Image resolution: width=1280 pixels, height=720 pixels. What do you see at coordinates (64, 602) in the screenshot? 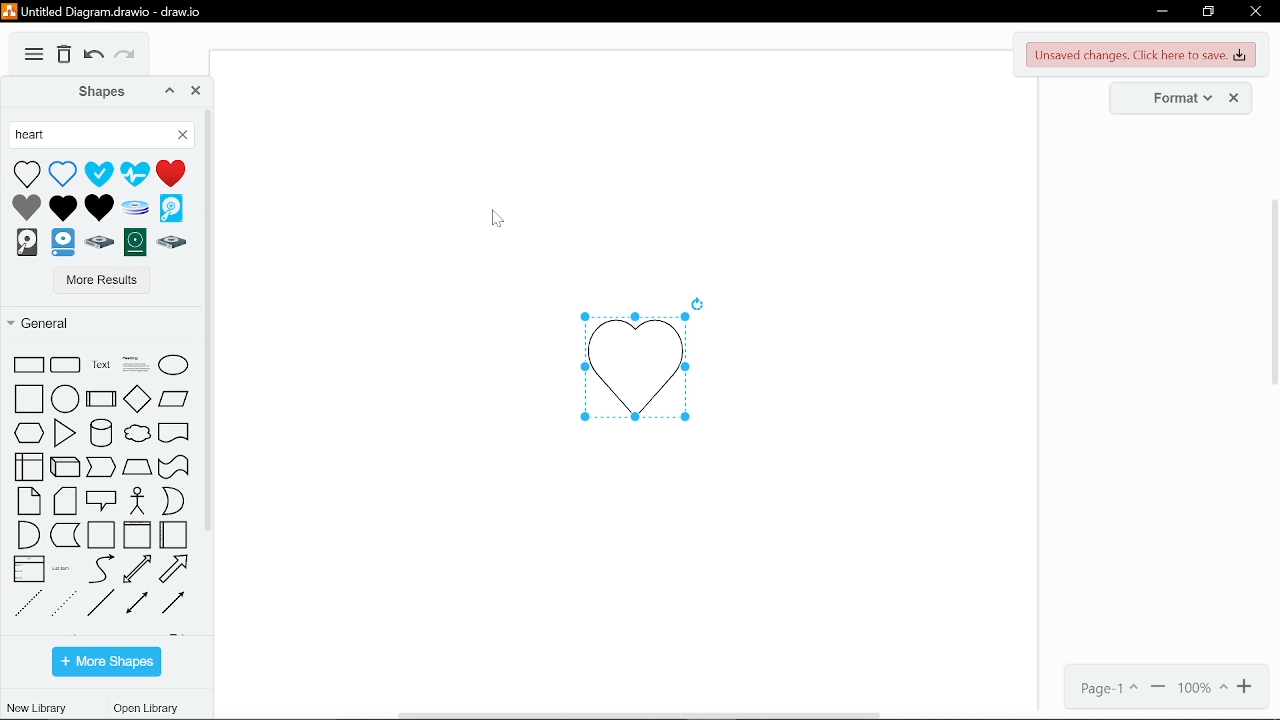
I see `dotted line` at bounding box center [64, 602].